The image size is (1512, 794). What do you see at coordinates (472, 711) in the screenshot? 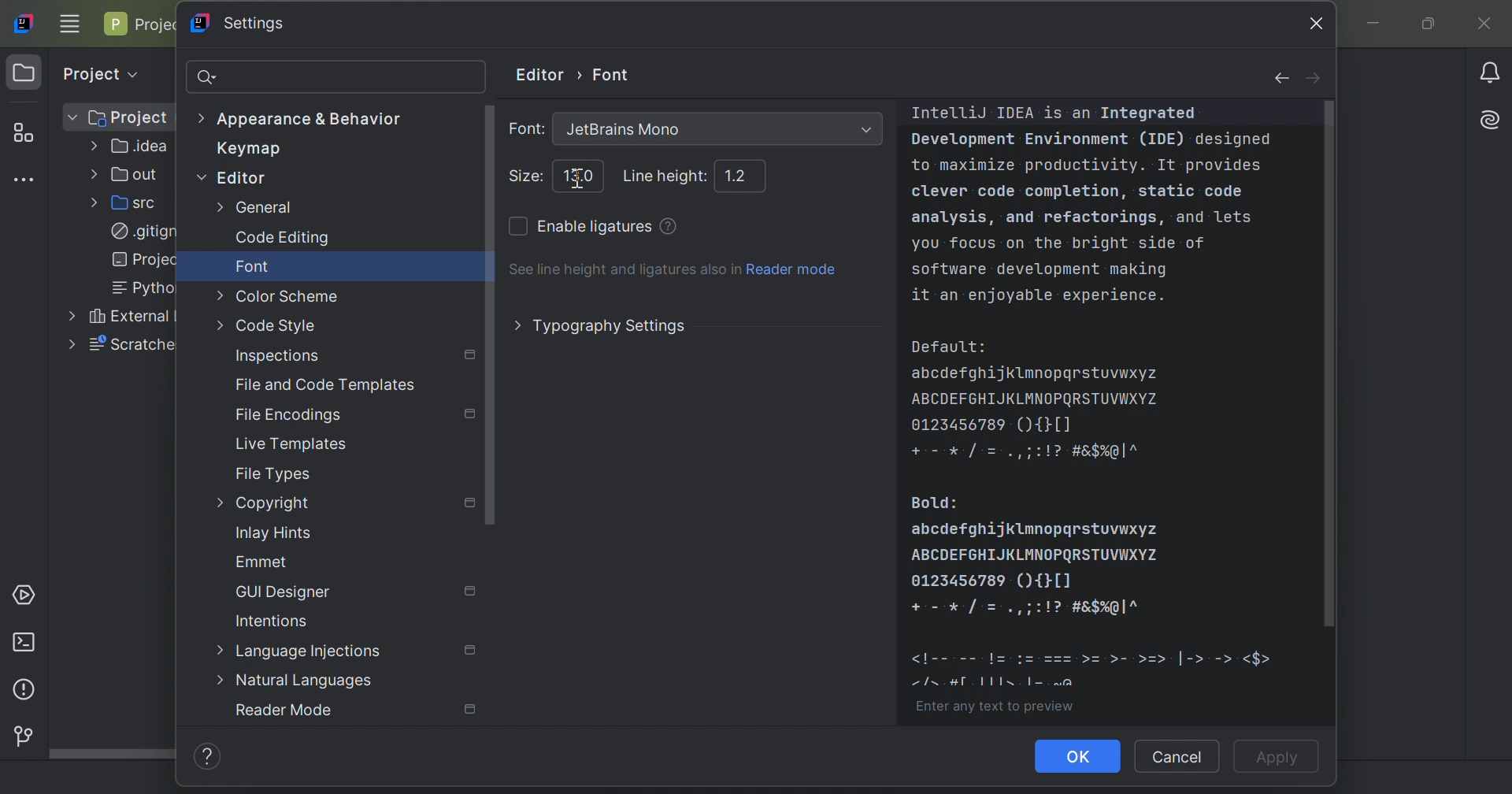
I see `Settings marked with this icon are only applied to the current project. Non-marked settings are applied to all projects.` at bounding box center [472, 711].